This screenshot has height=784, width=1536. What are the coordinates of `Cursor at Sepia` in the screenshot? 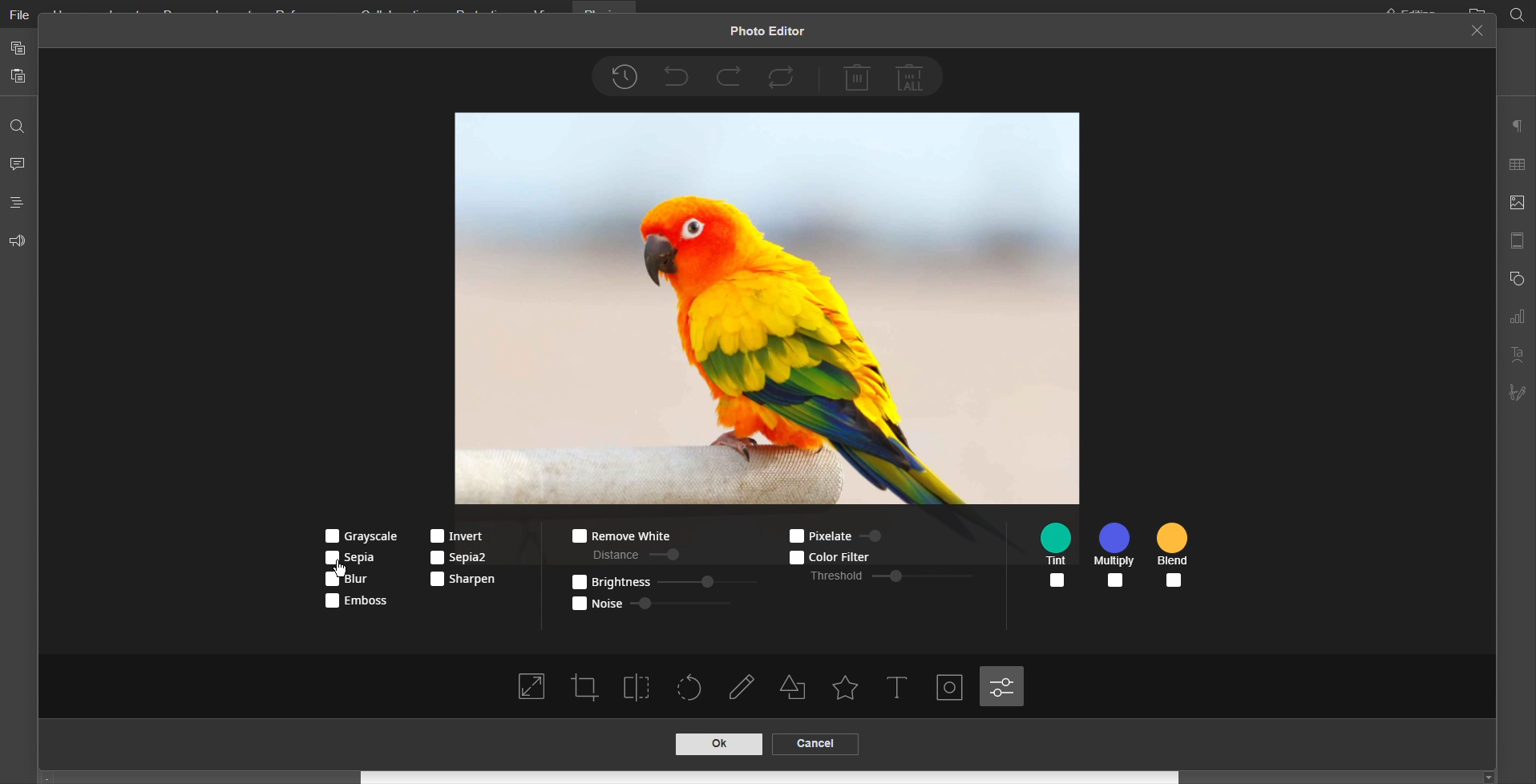 It's located at (342, 566).